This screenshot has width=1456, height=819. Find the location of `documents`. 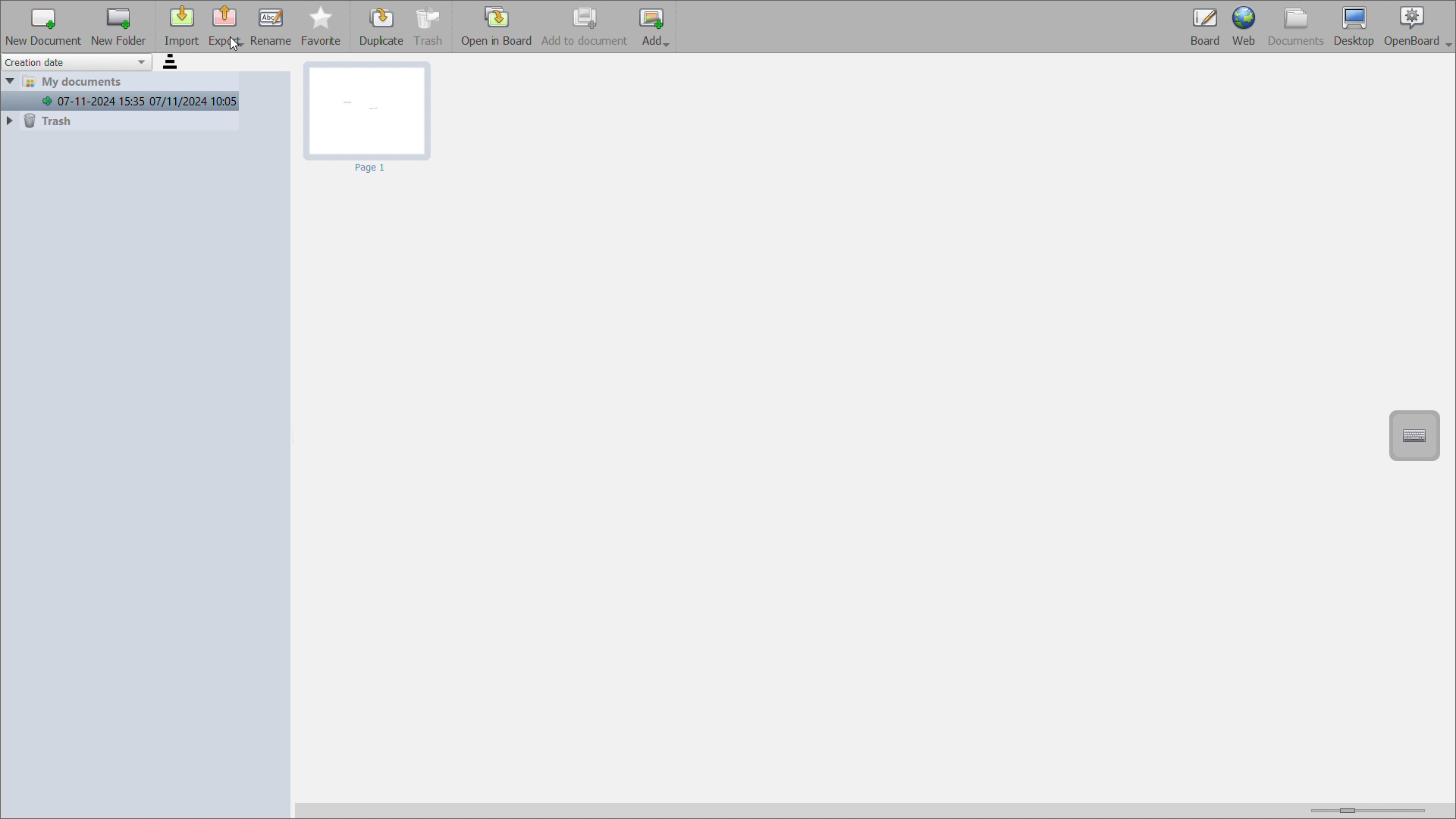

documents is located at coordinates (1297, 27).